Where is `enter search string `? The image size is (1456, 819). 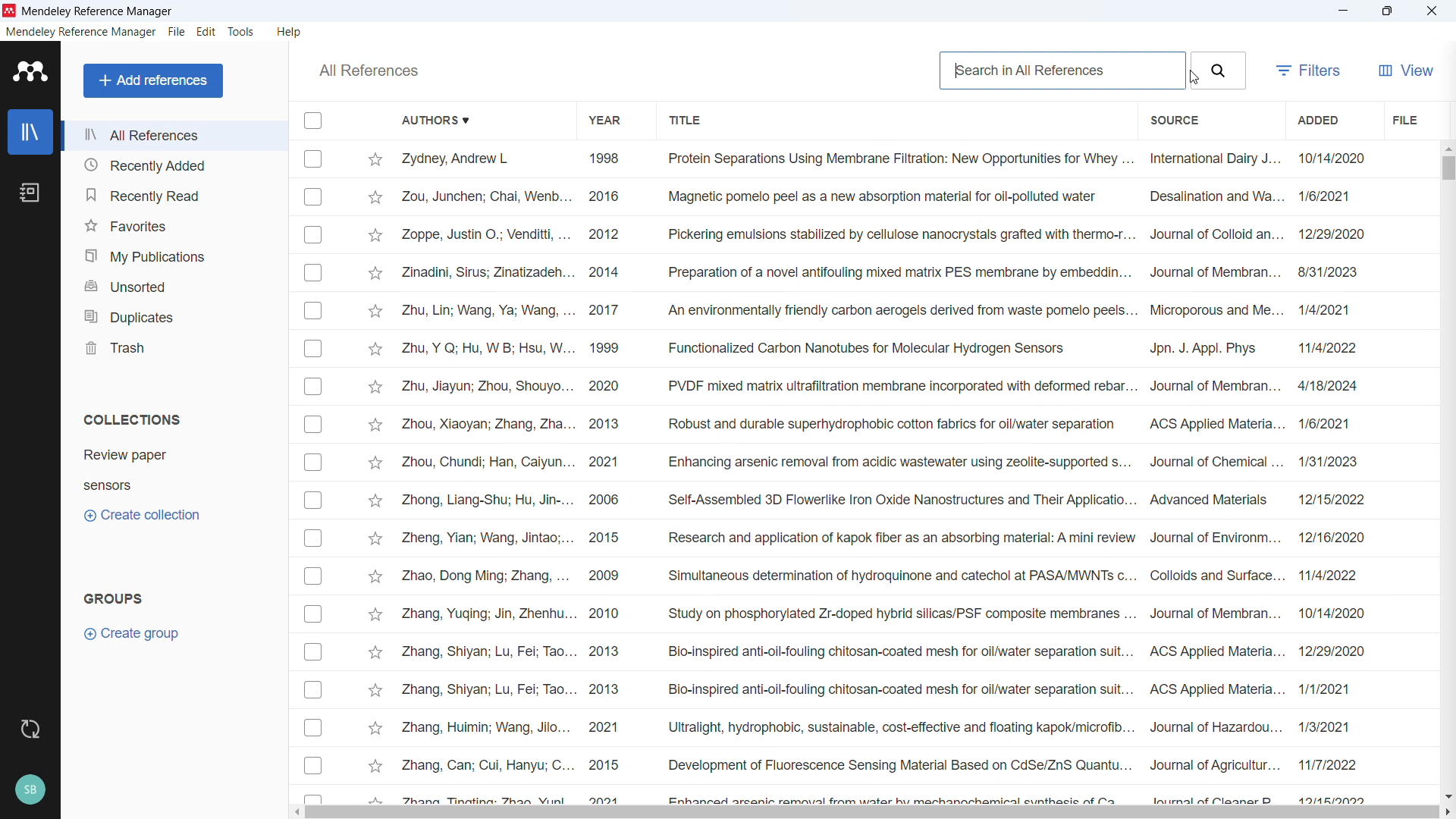 enter search string  is located at coordinates (1063, 71).